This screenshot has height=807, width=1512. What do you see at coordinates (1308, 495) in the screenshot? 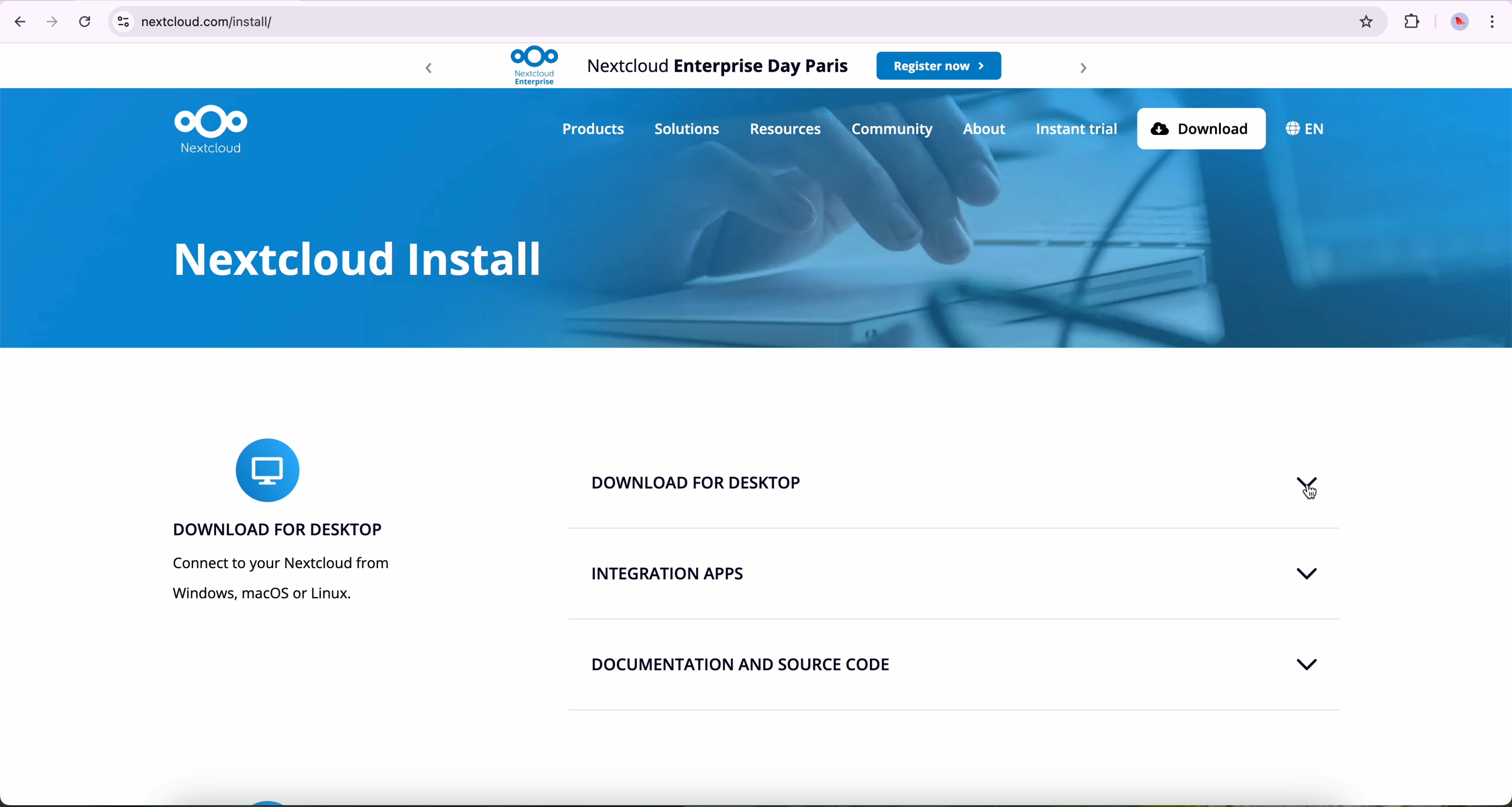
I see `cursor` at bounding box center [1308, 495].